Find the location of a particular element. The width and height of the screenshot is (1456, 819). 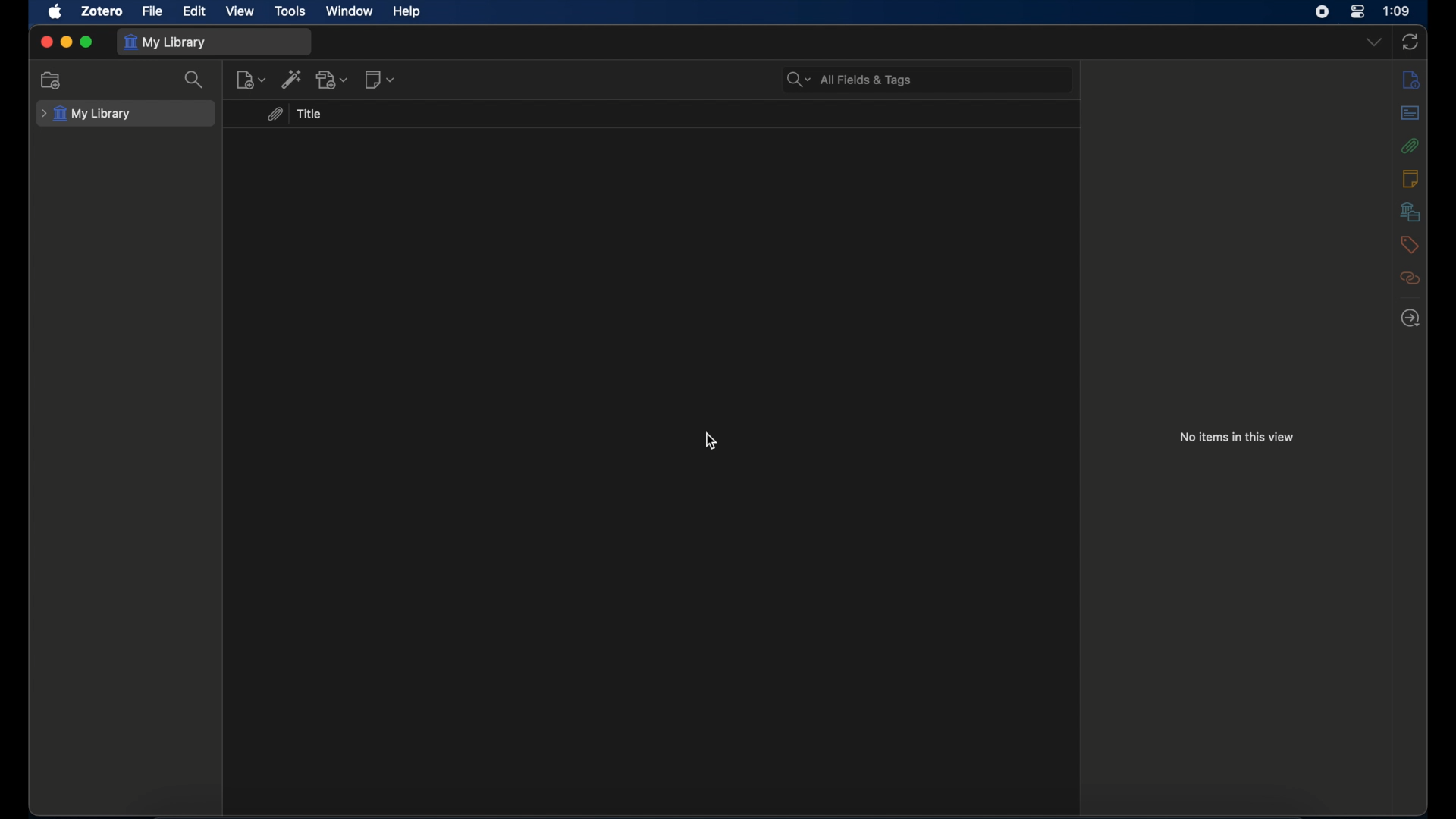

close is located at coordinates (46, 41).